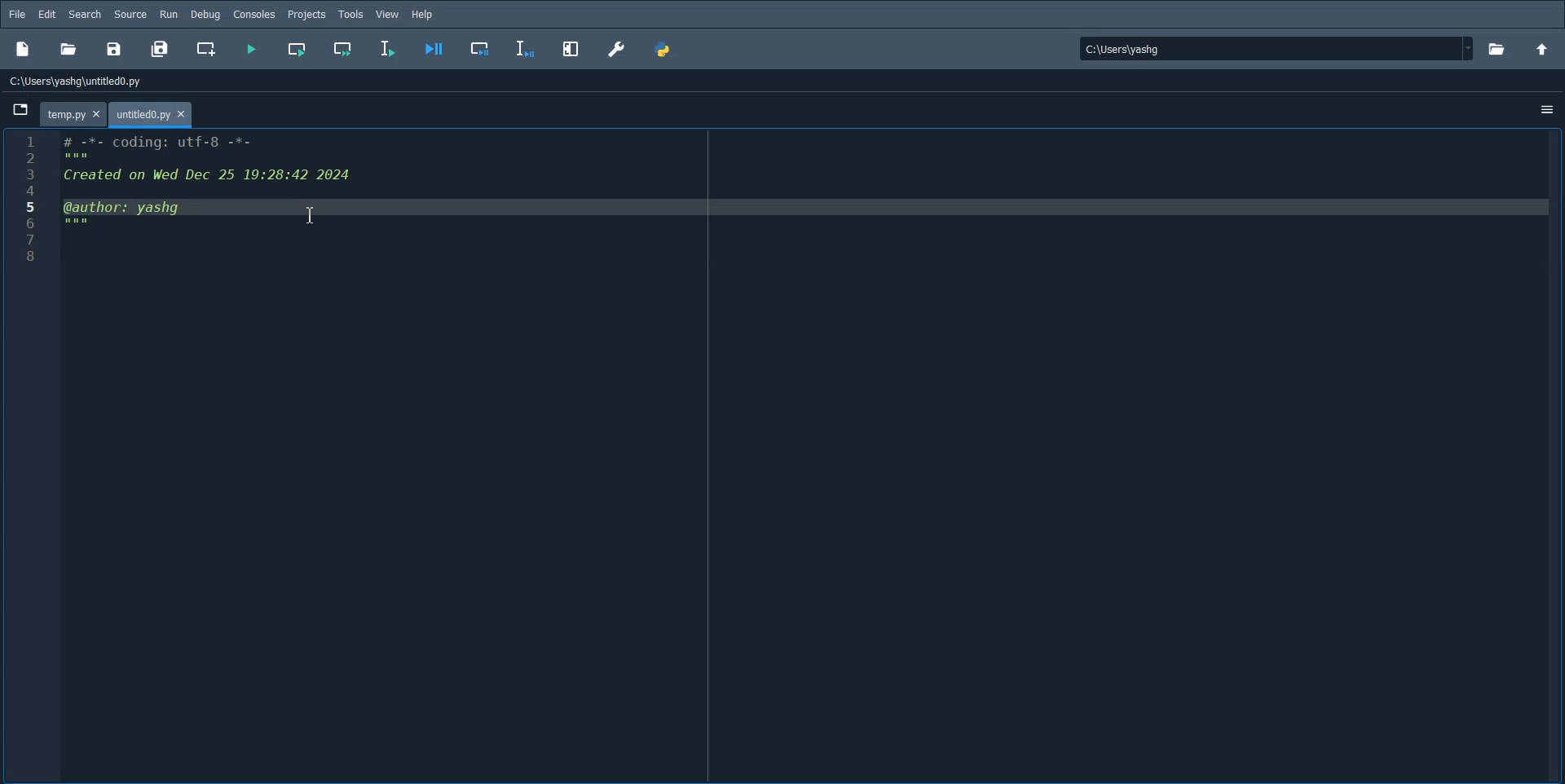 This screenshot has height=784, width=1565. What do you see at coordinates (71, 114) in the screenshot?
I see `temp.py X` at bounding box center [71, 114].